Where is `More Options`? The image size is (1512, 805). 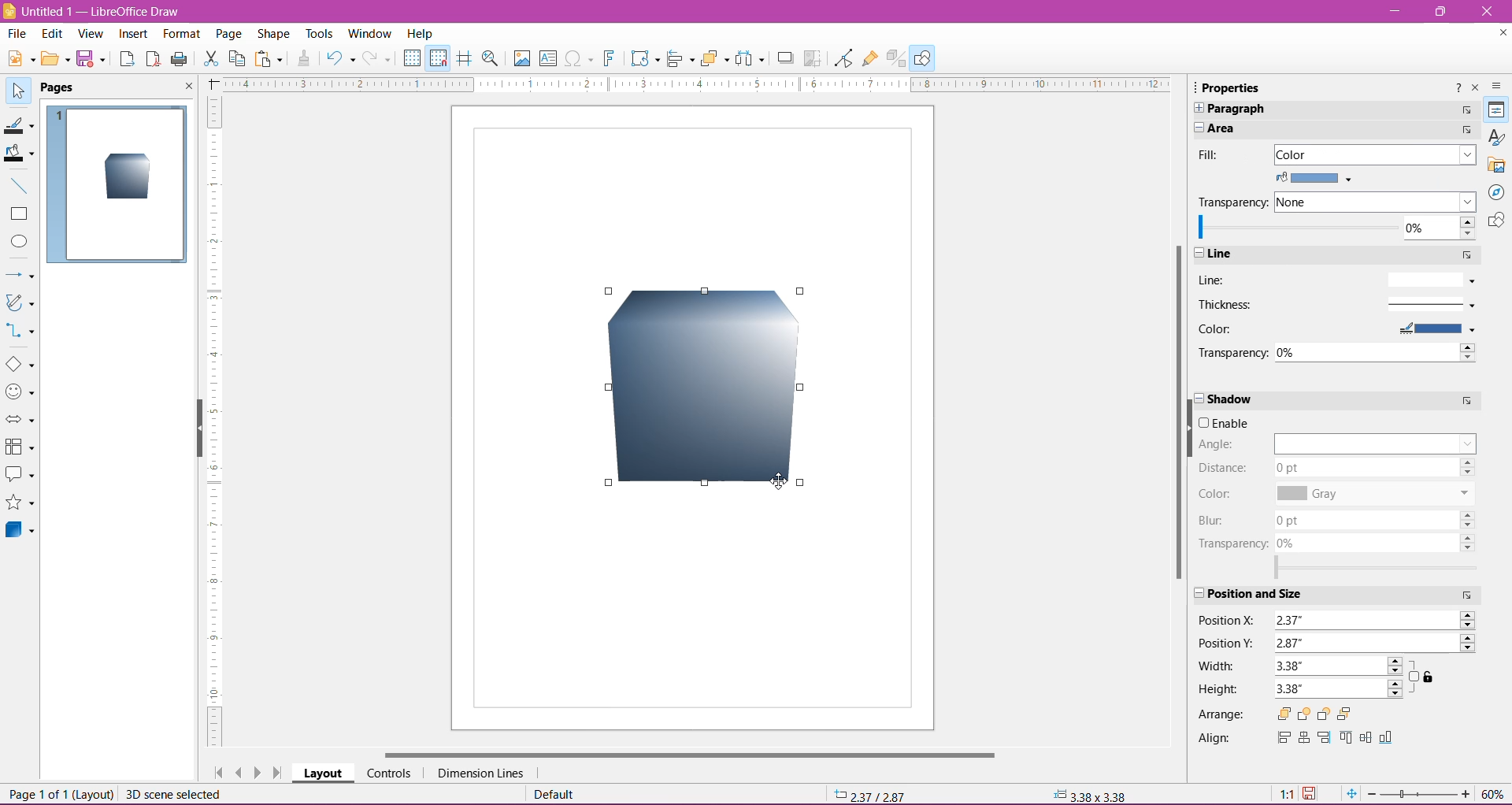
More Options is located at coordinates (1465, 401).